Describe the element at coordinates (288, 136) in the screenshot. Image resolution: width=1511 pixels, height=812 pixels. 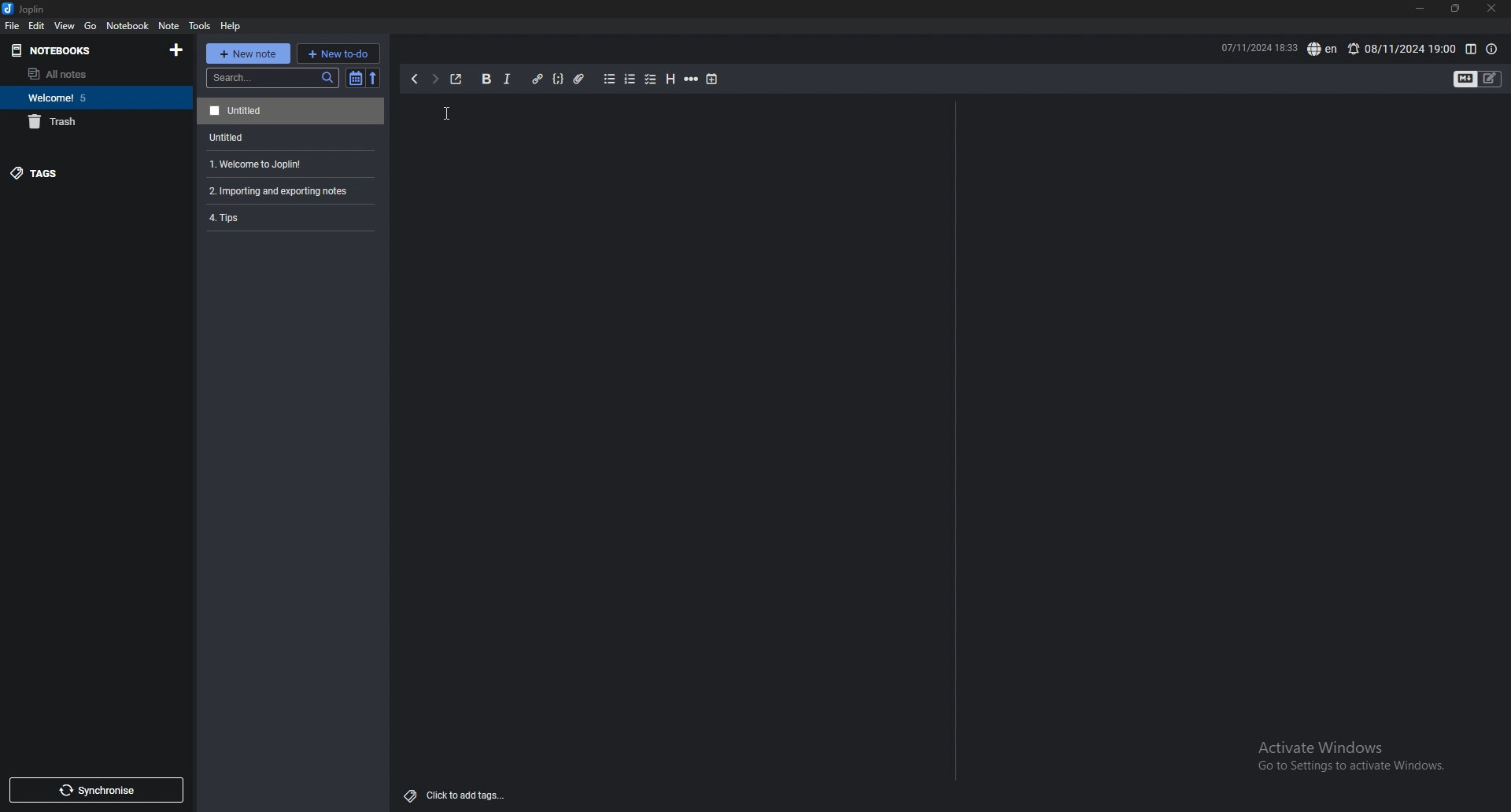
I see `Untitled` at that location.